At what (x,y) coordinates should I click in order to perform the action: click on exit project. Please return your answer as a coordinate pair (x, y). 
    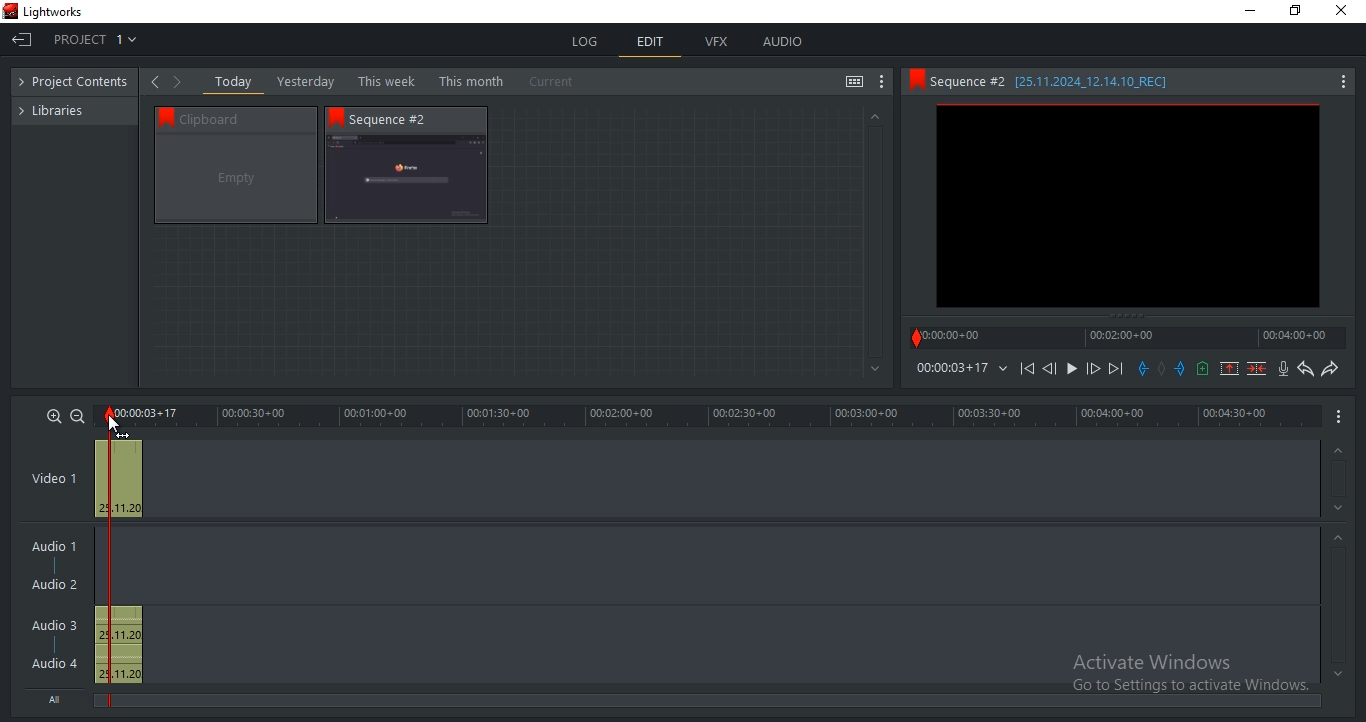
    Looking at the image, I should click on (21, 42).